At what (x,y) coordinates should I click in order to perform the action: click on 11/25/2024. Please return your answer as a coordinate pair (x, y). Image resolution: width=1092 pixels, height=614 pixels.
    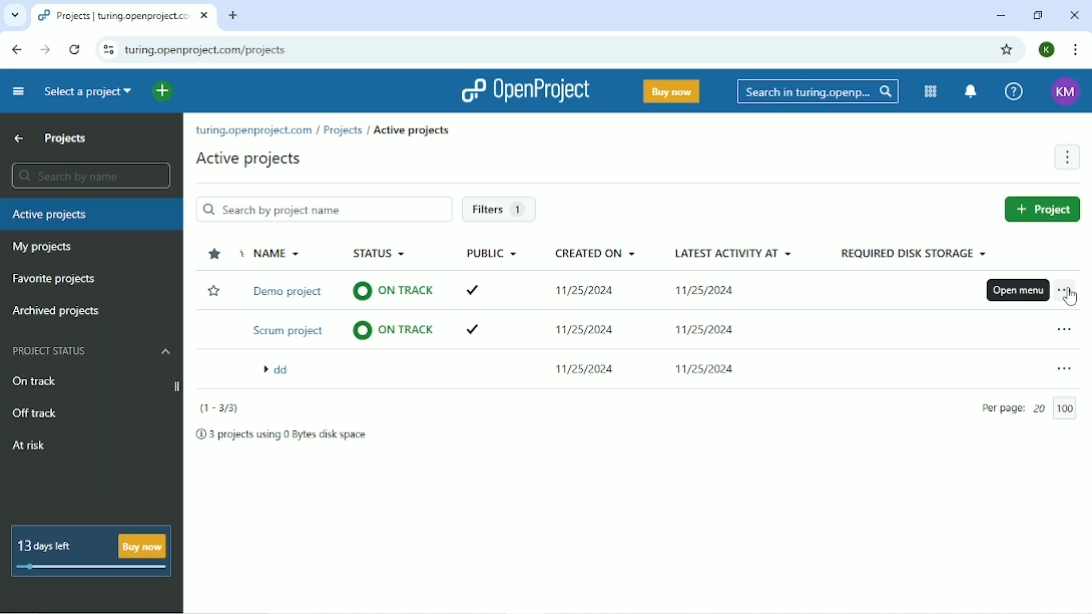
    Looking at the image, I should click on (576, 368).